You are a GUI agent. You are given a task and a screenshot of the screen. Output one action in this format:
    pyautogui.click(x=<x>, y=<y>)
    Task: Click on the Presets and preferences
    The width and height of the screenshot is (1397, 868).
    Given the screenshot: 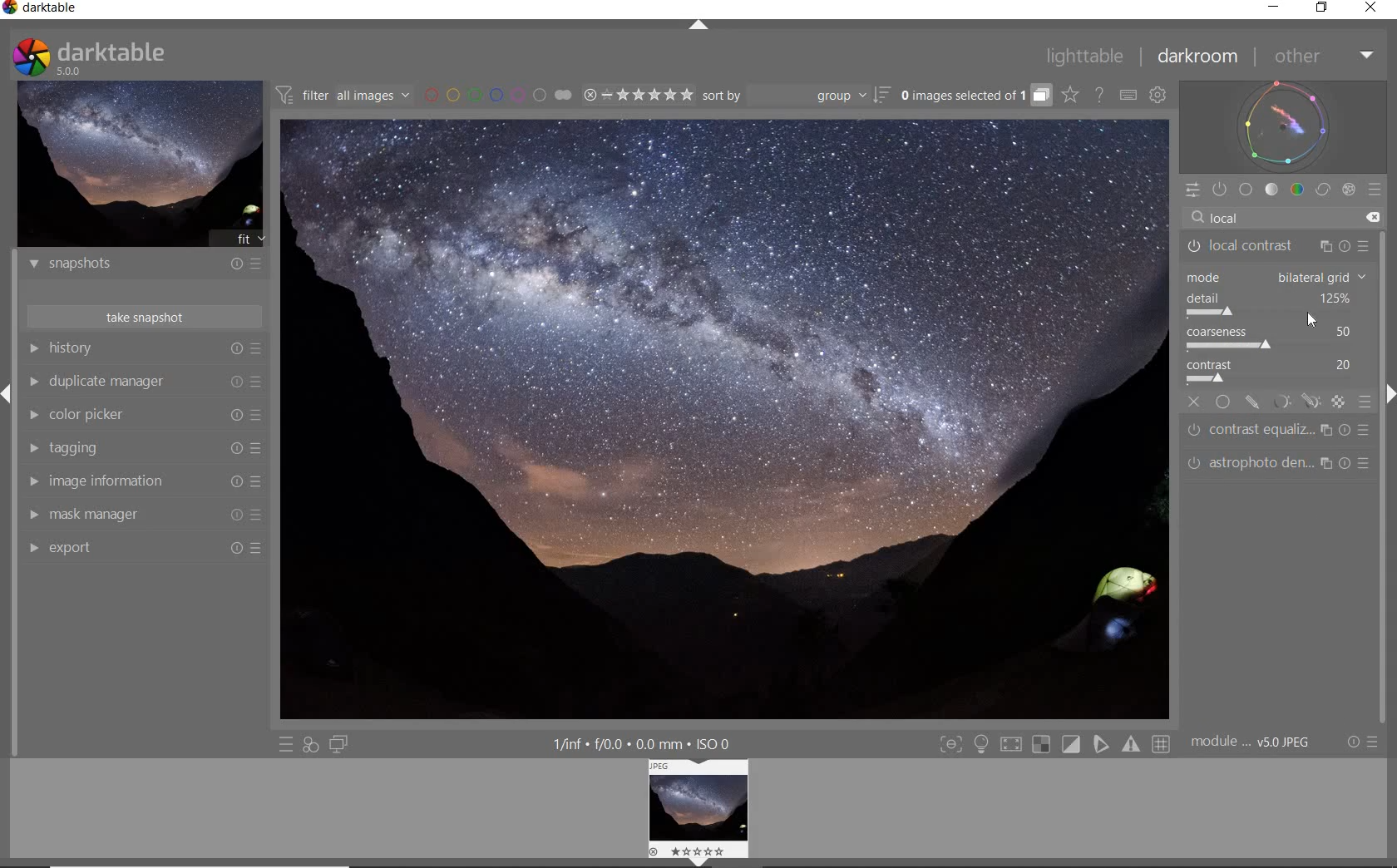 What is the action you would take?
    pyautogui.click(x=259, y=417)
    